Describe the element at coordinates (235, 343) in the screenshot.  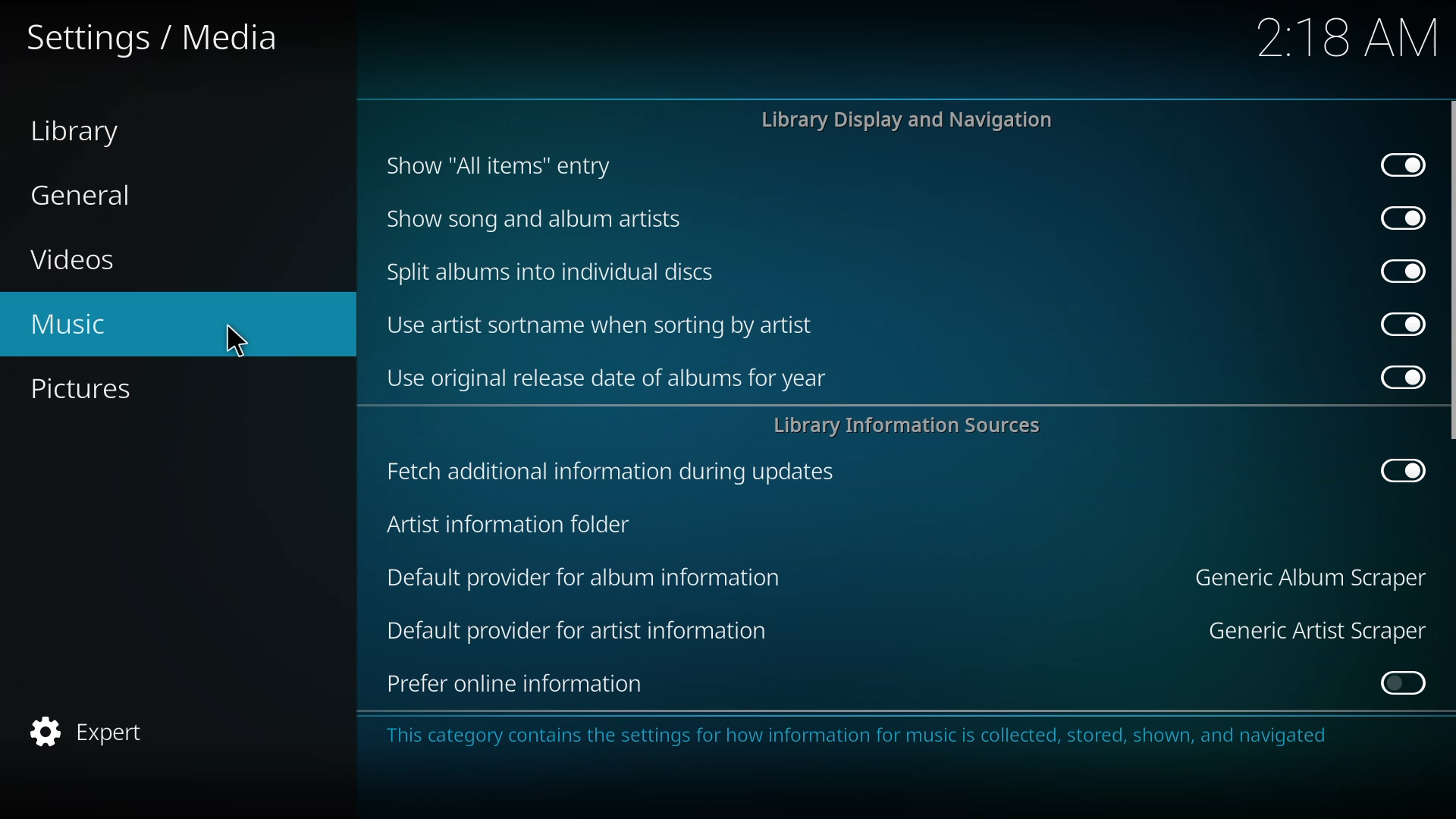
I see `cursor` at that location.